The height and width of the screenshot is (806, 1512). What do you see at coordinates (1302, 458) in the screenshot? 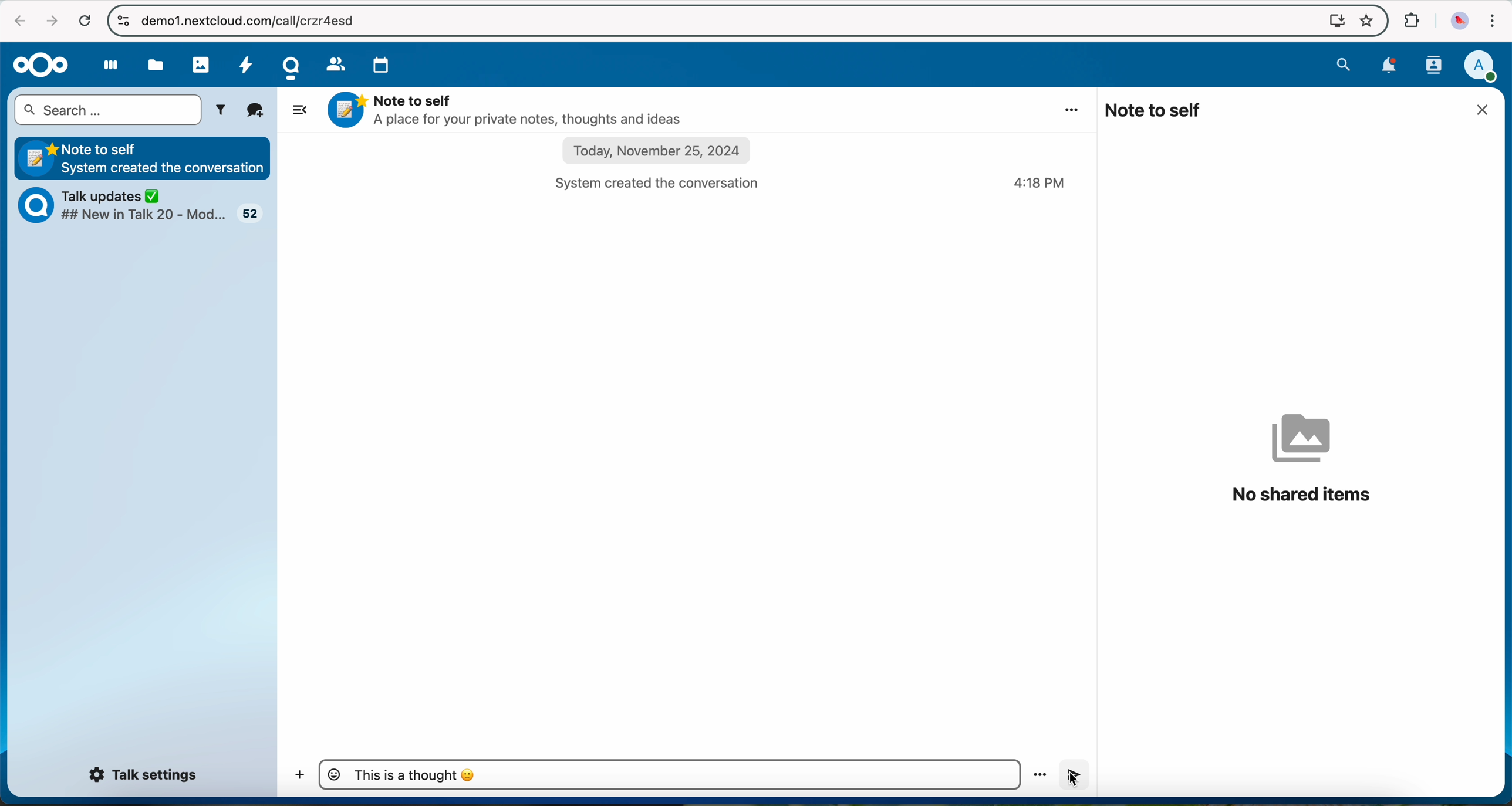
I see `no shared items` at bounding box center [1302, 458].